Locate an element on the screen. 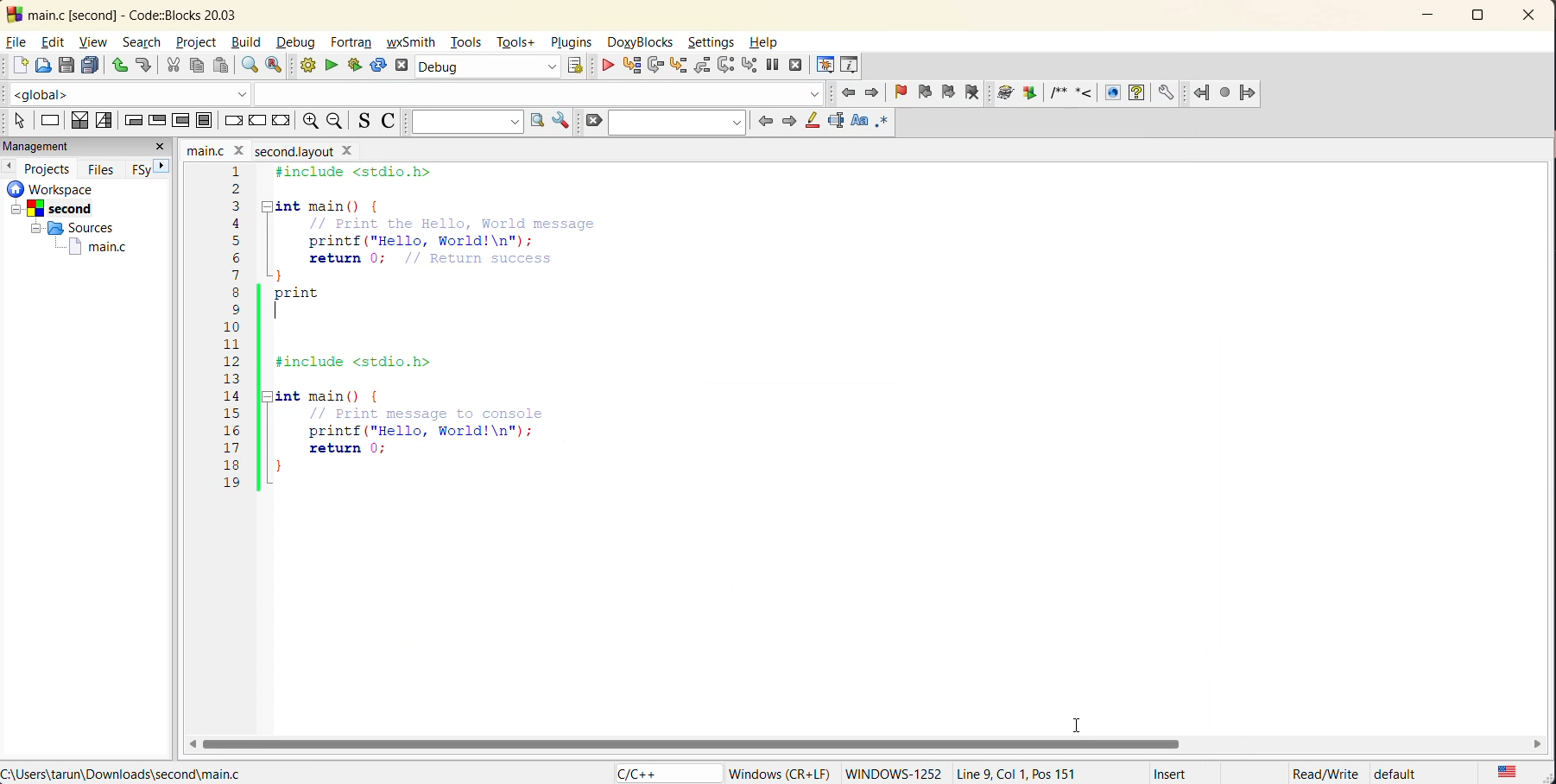  toggle comments is located at coordinates (391, 123).